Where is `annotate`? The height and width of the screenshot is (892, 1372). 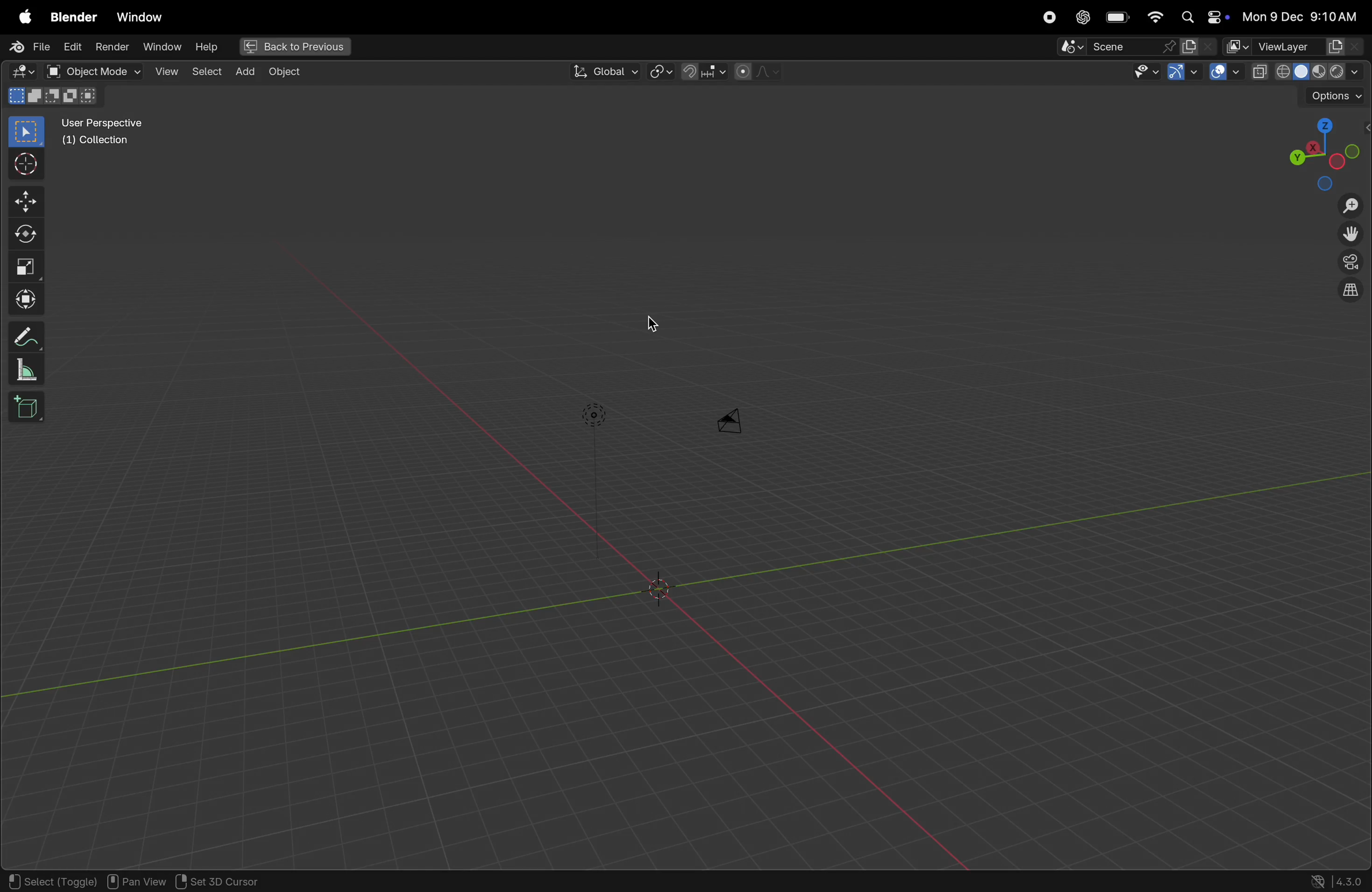 annotate is located at coordinates (28, 334).